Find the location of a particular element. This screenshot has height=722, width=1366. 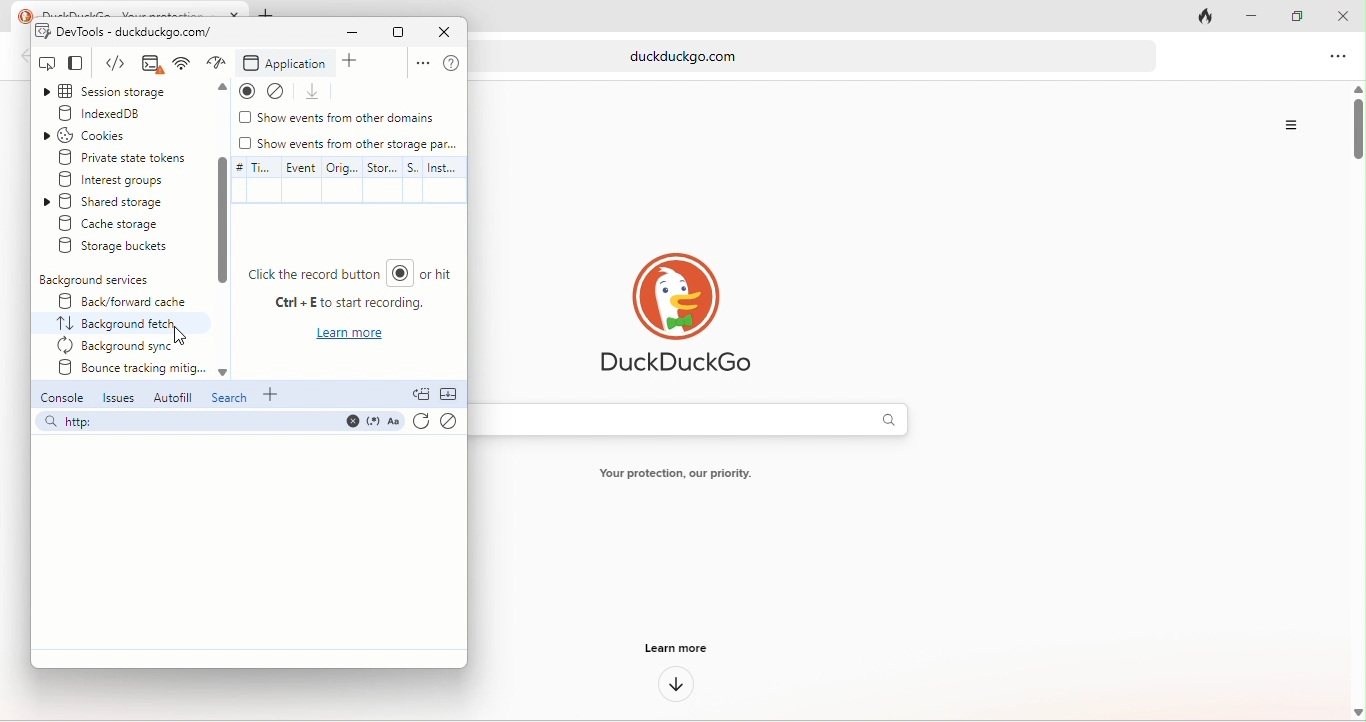

shared storage is located at coordinates (124, 202).